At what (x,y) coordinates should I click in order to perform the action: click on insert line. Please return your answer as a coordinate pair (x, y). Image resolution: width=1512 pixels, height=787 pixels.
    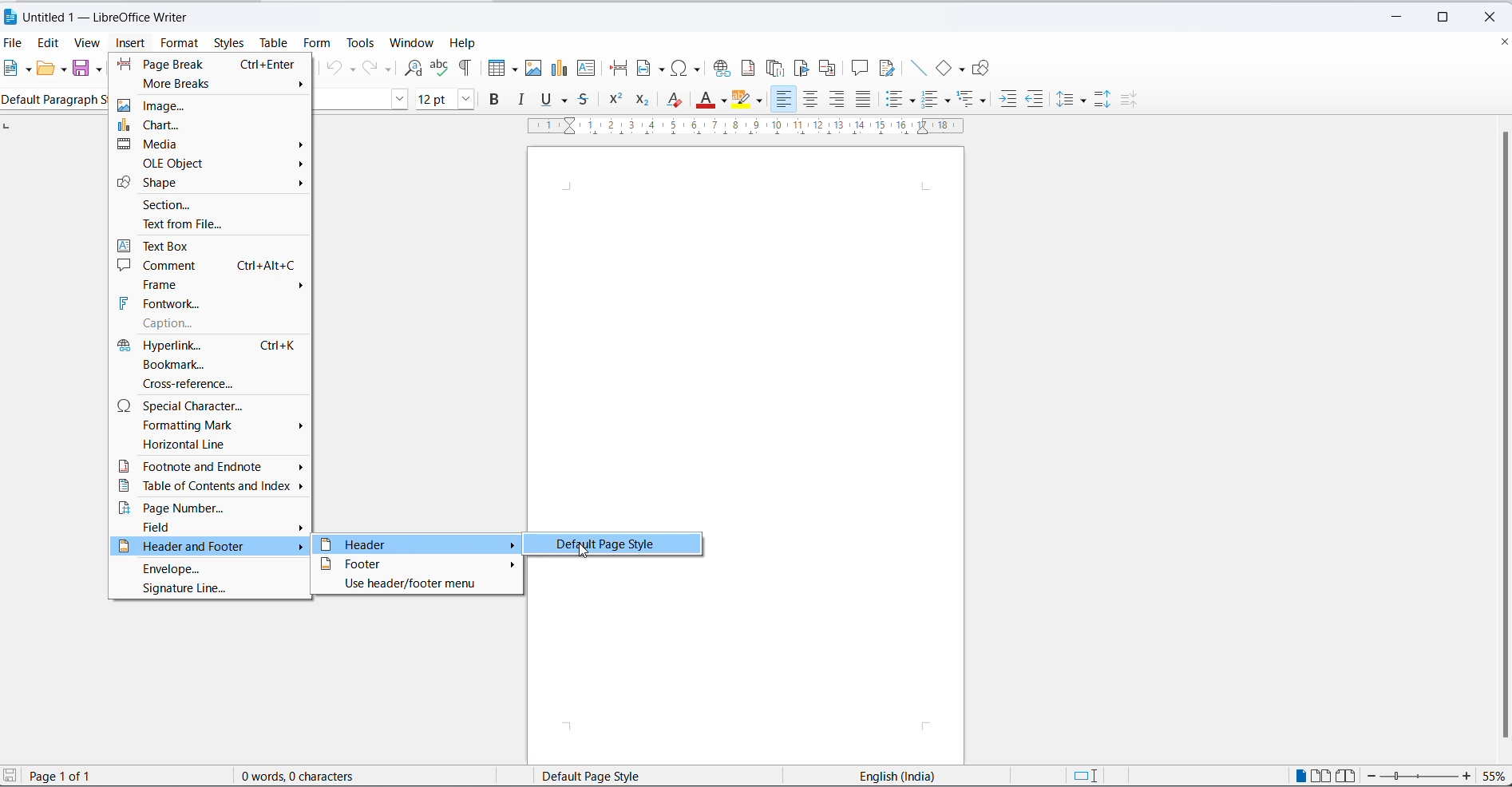
    Looking at the image, I should click on (917, 69).